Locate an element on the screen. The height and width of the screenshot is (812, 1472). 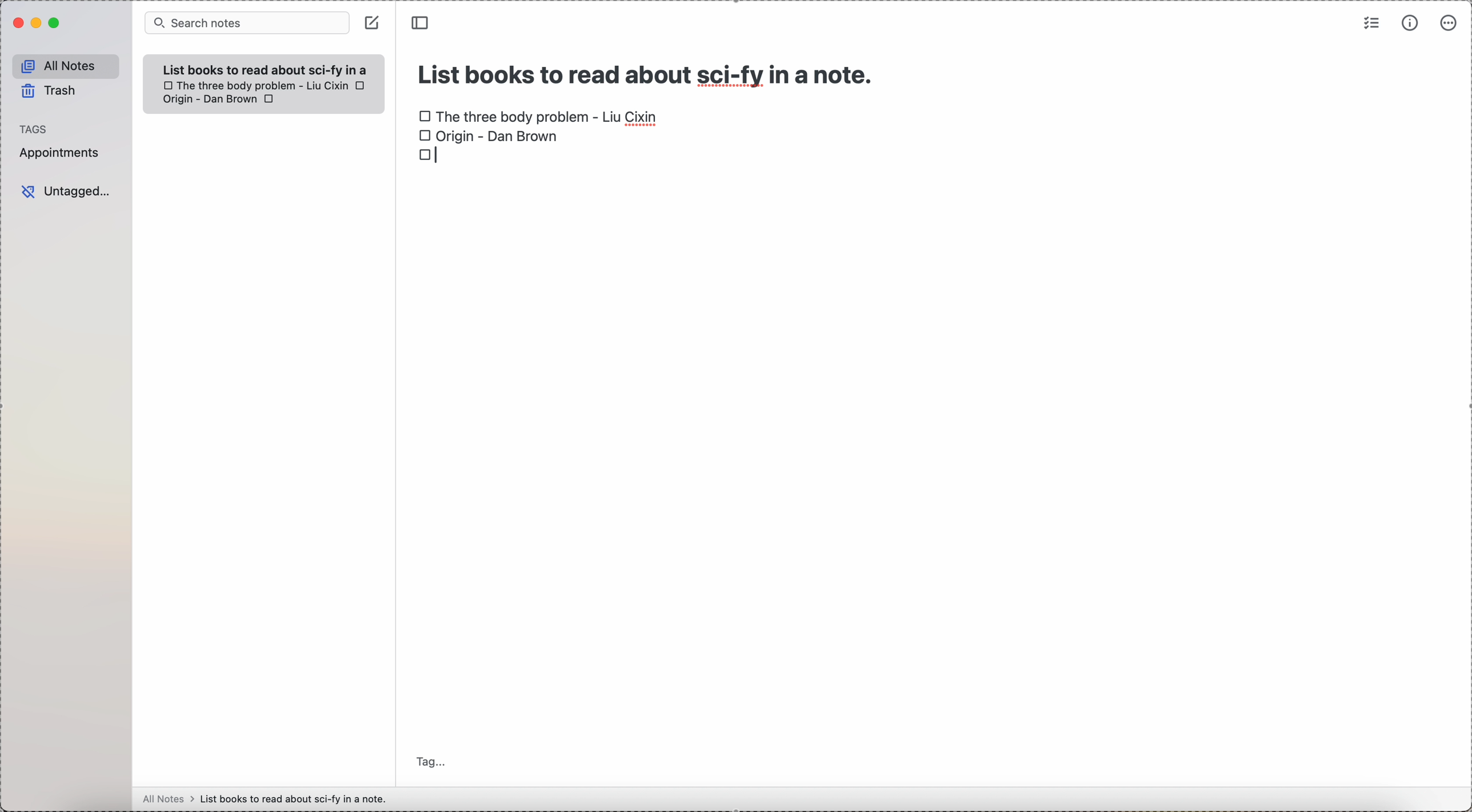
checkbox is located at coordinates (271, 101).